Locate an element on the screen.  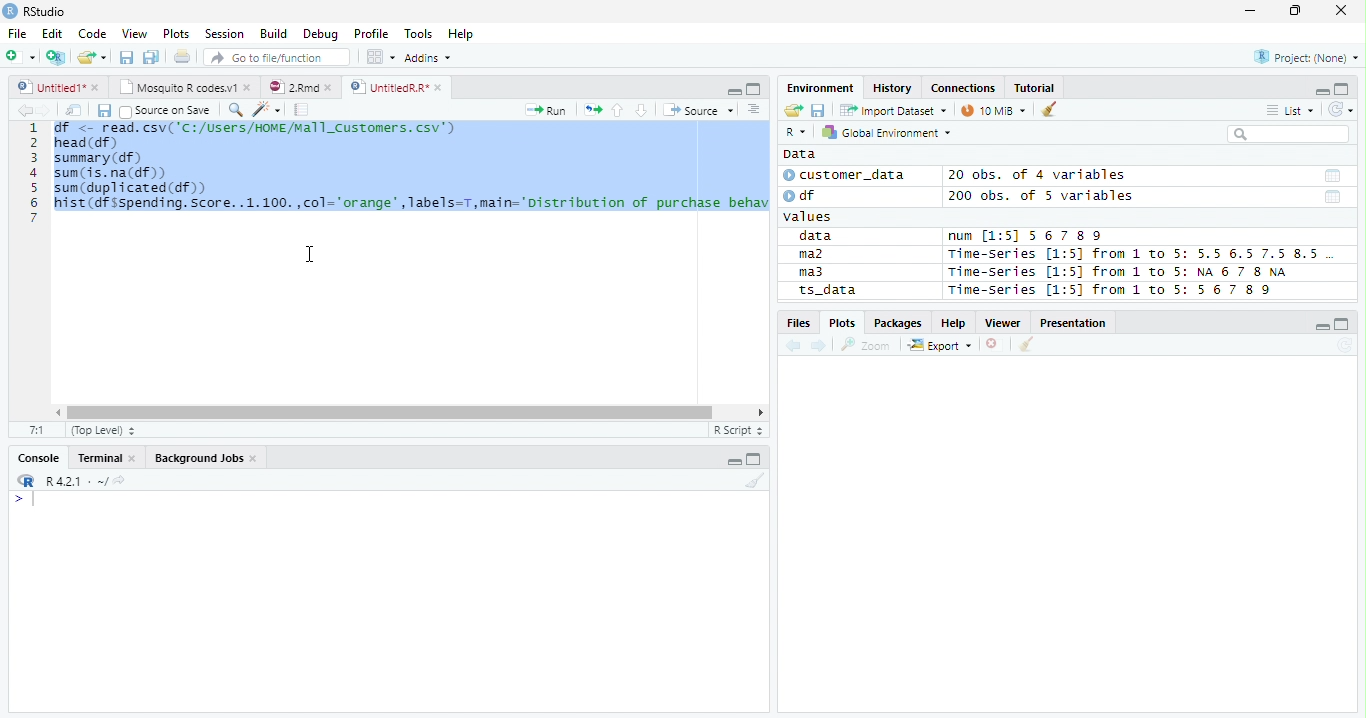
Delete is located at coordinates (995, 345).